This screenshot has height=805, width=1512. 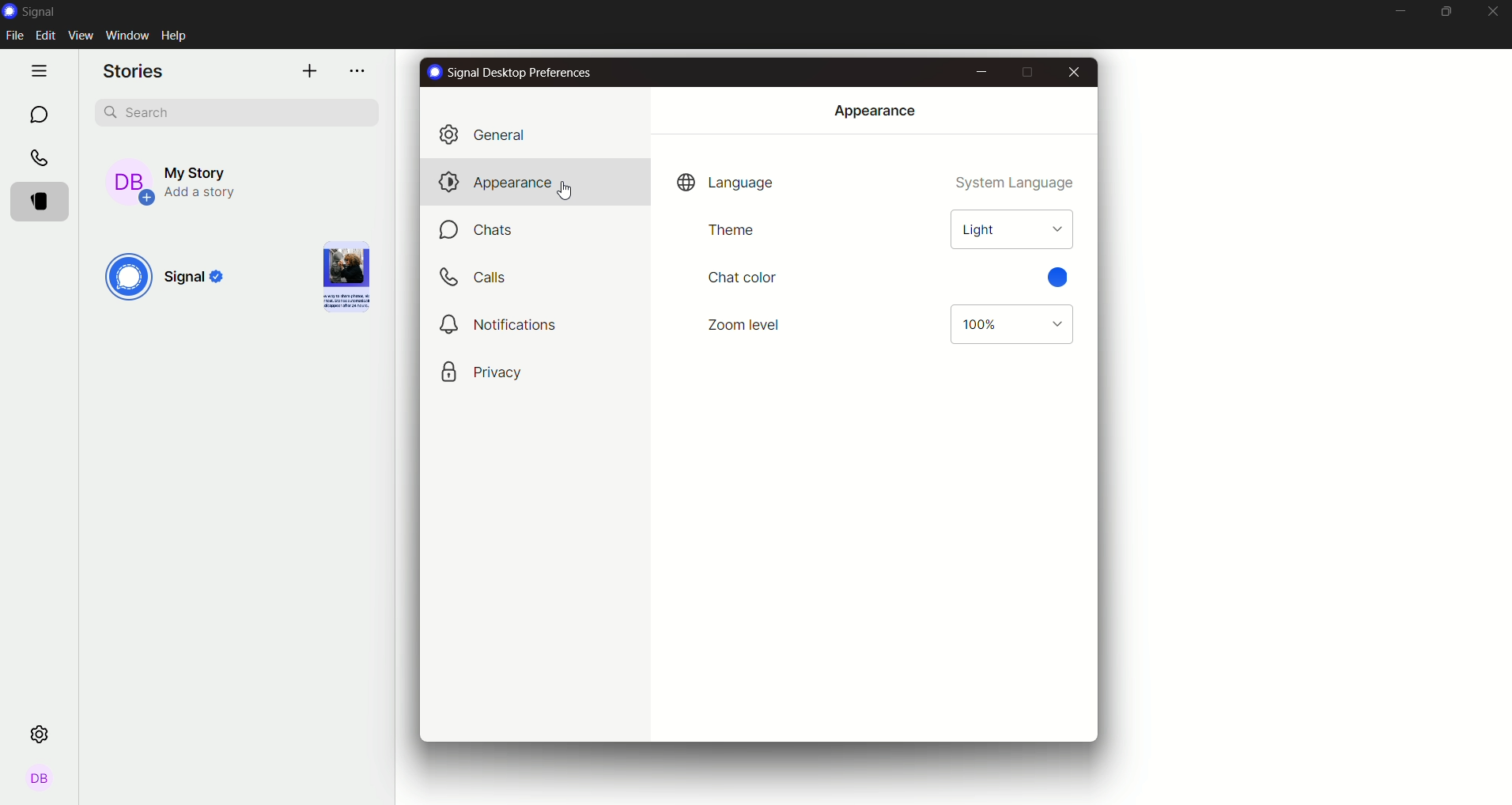 I want to click on appearance, so click(x=874, y=110).